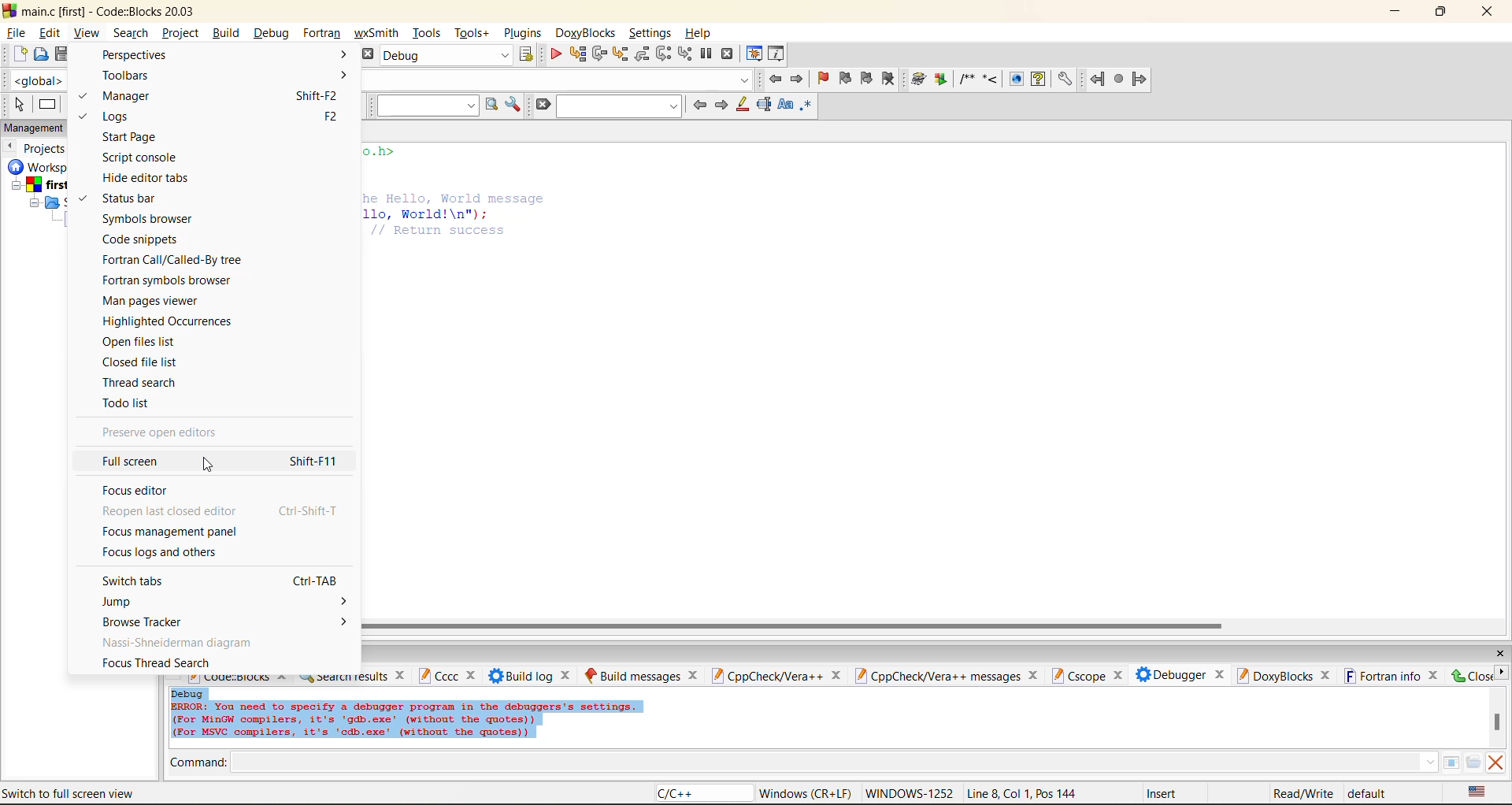 The image size is (1512, 805). Describe the element at coordinates (157, 178) in the screenshot. I see `hide editor tabs` at that location.